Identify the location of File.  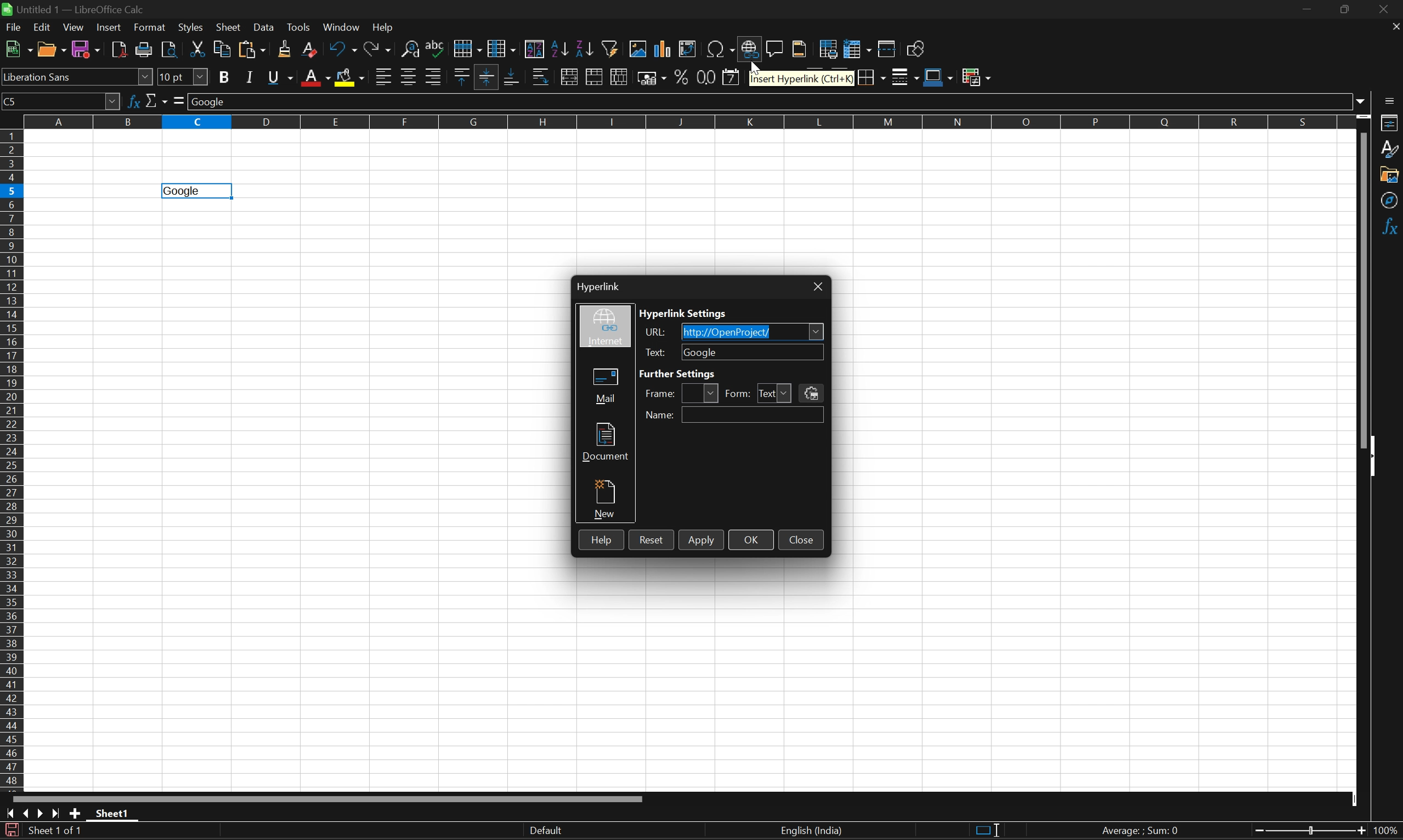
(14, 27).